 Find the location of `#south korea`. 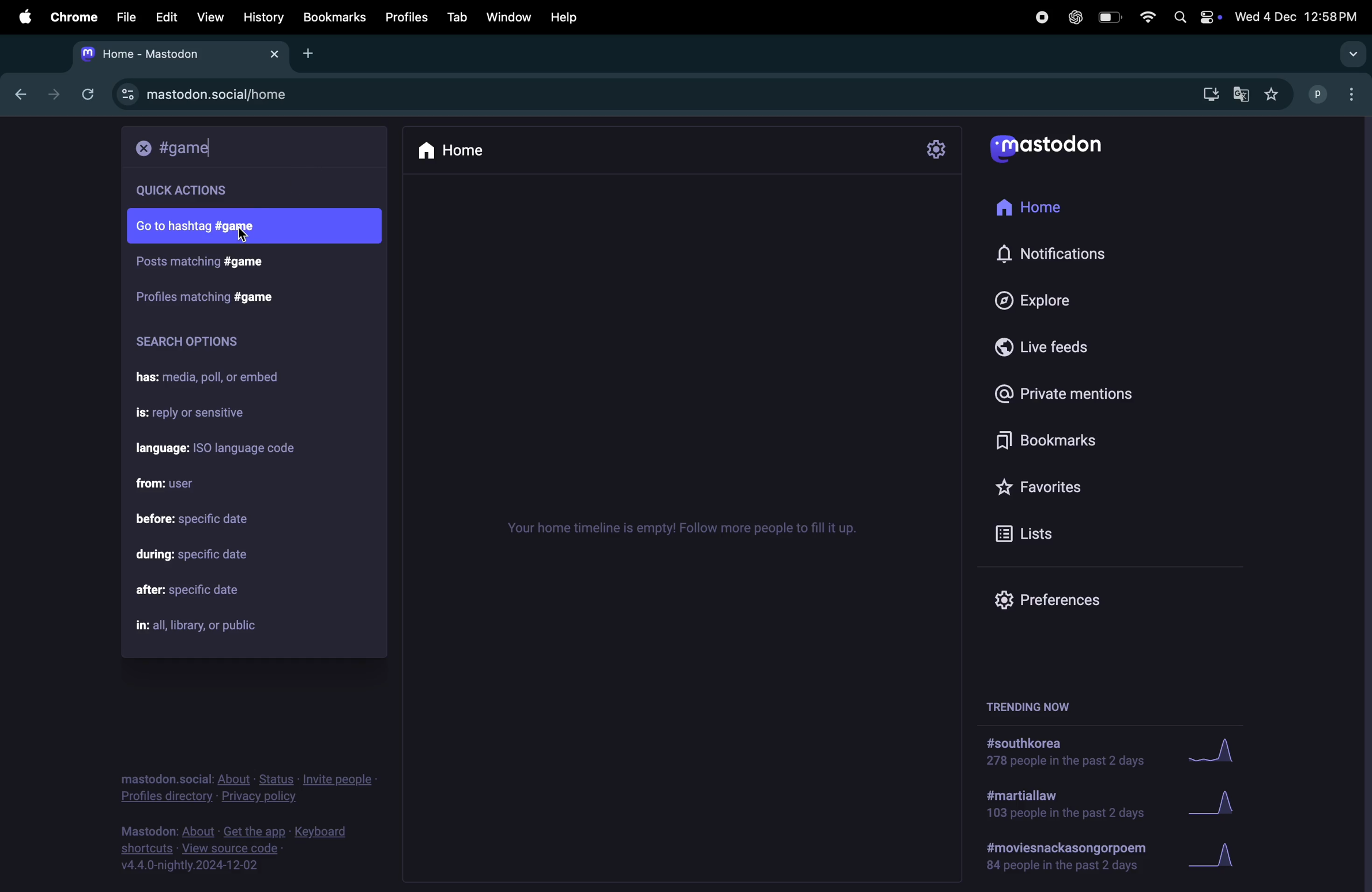

#south korea is located at coordinates (1058, 754).